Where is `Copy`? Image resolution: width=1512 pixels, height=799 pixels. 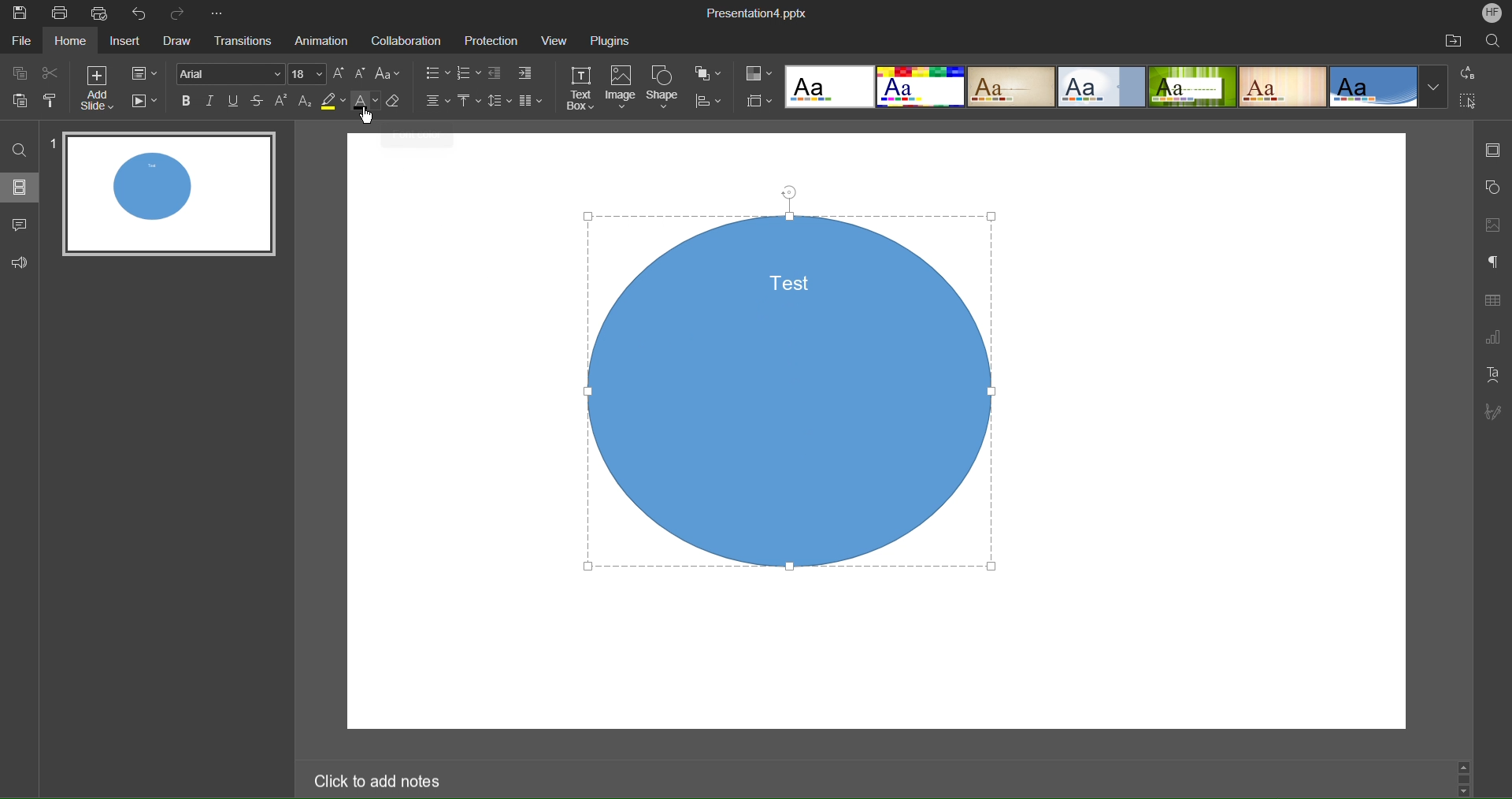
Copy is located at coordinates (19, 76).